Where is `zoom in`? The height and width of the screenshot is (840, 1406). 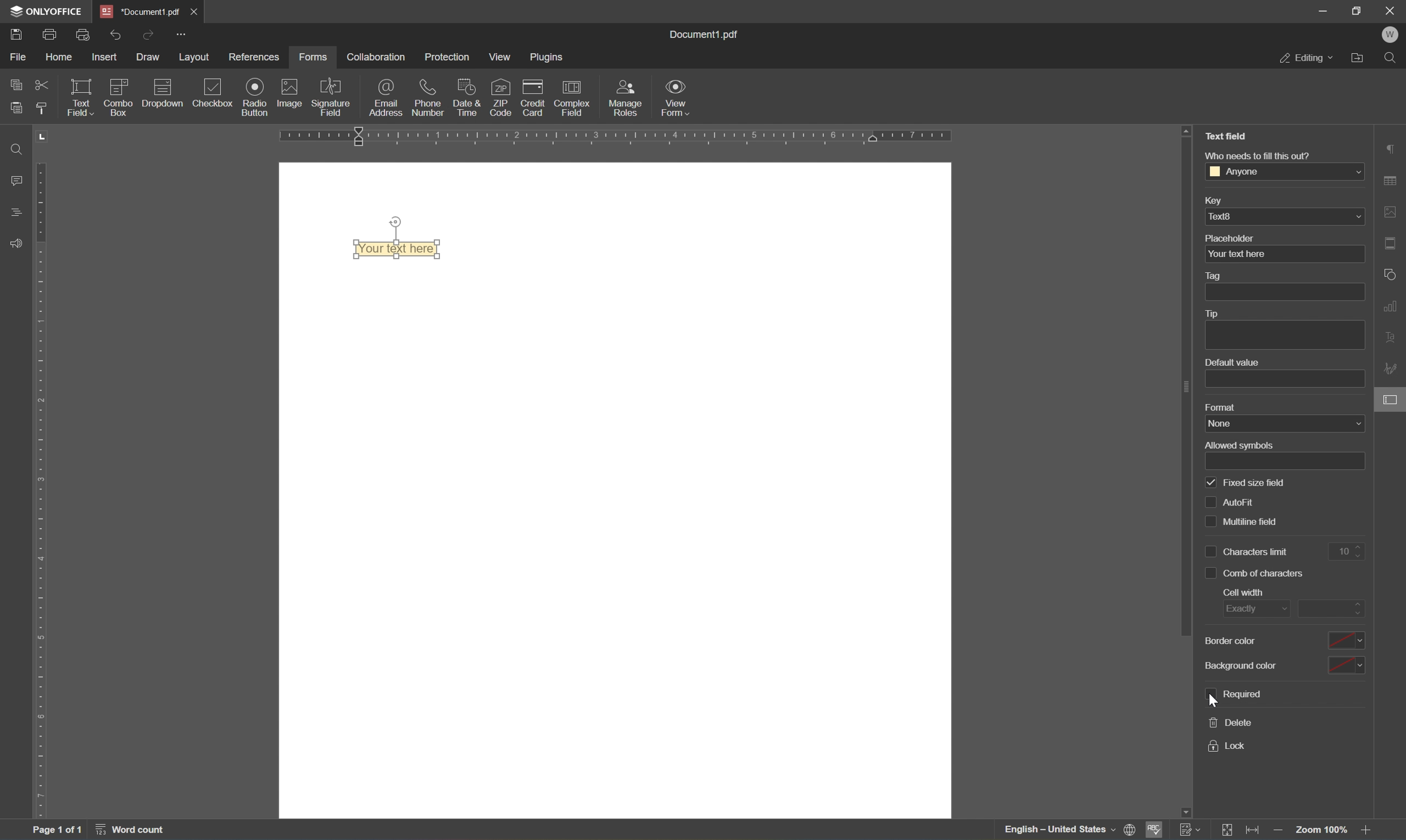 zoom in is located at coordinates (1369, 831).